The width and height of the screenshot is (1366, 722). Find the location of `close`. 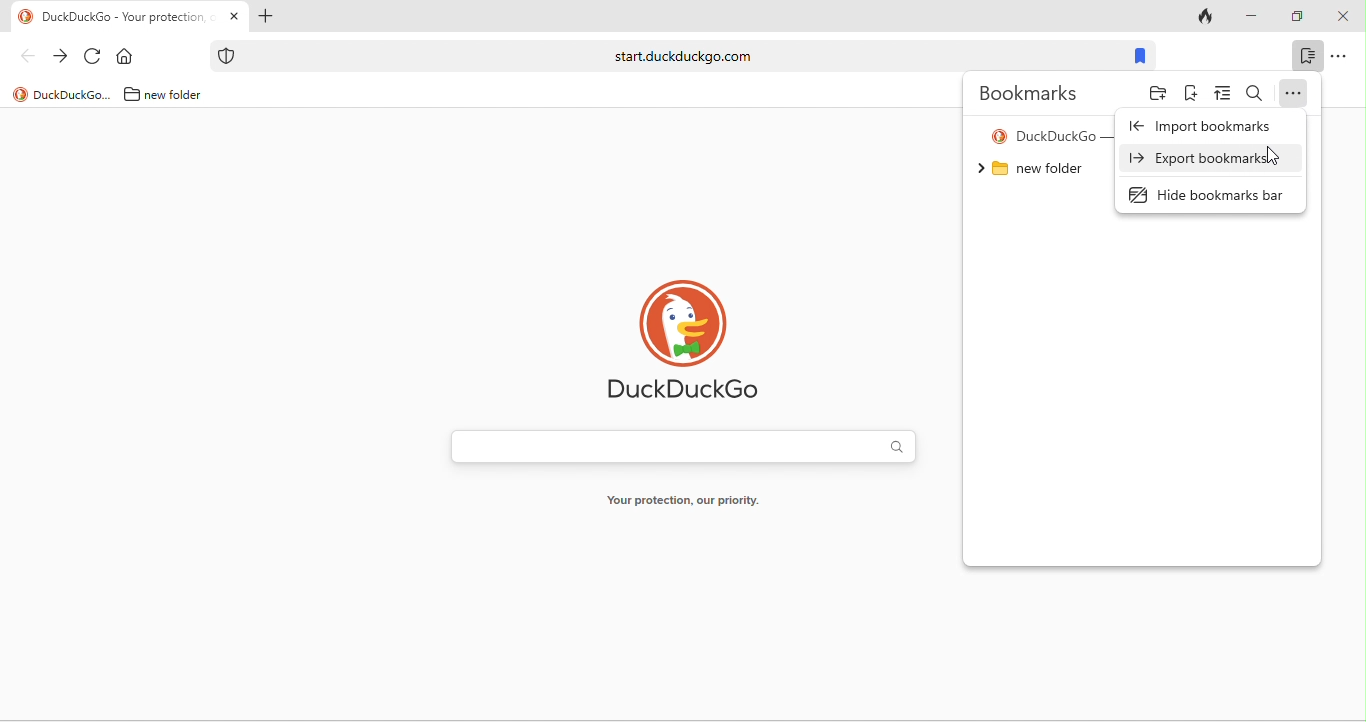

close is located at coordinates (1343, 17).